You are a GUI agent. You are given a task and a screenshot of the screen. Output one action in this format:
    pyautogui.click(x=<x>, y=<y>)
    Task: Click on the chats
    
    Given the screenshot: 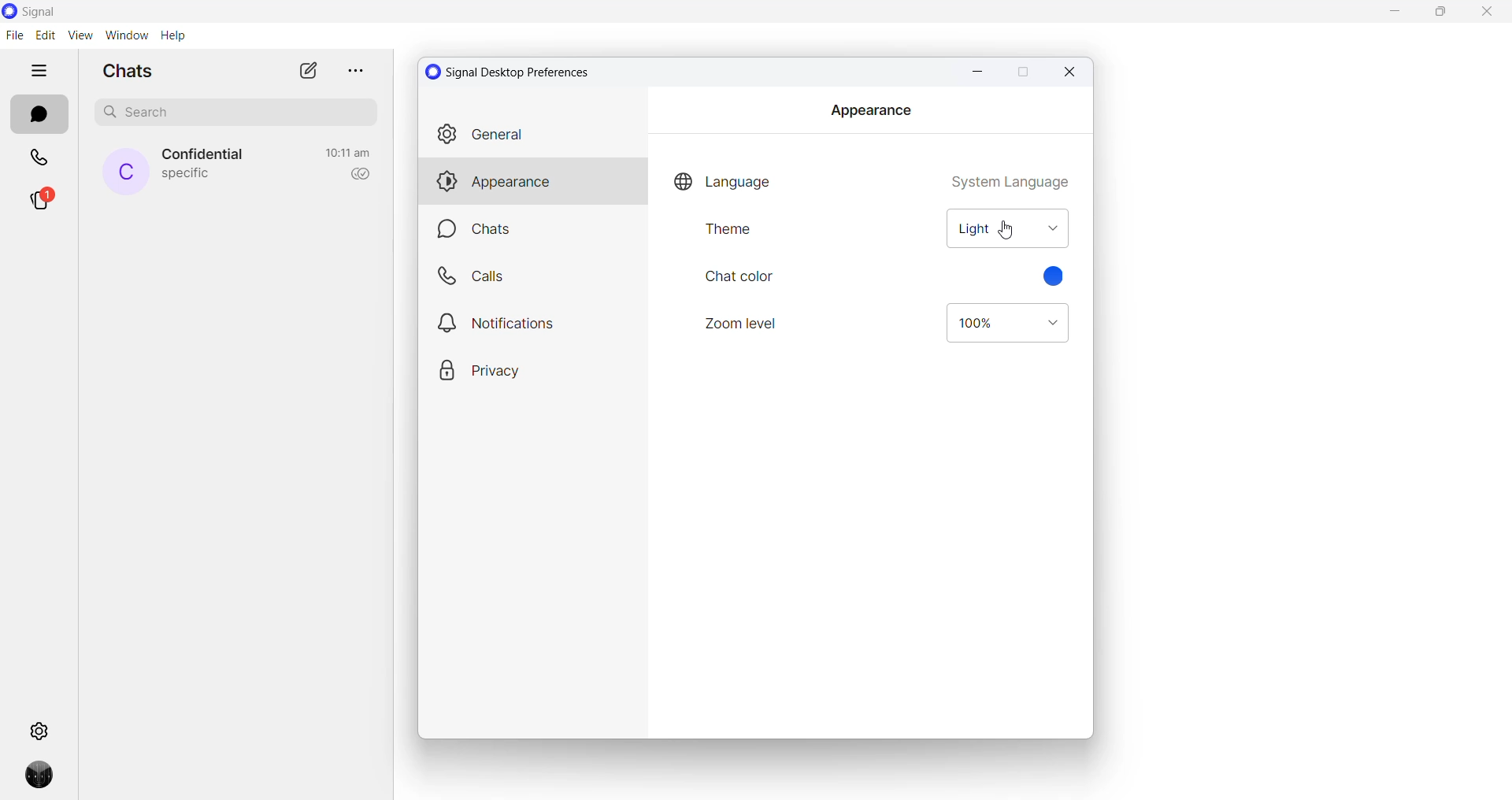 What is the action you would take?
    pyautogui.click(x=39, y=115)
    